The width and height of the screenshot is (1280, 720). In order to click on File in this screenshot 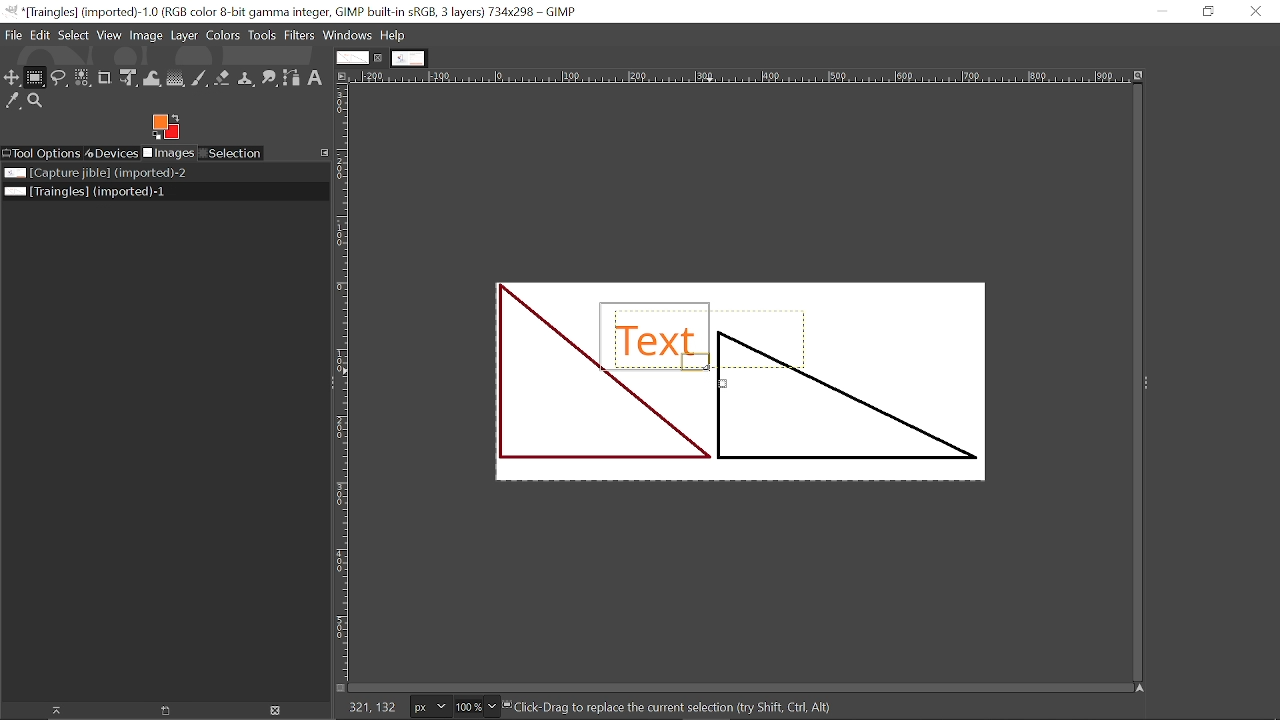, I will do `click(13, 35)`.